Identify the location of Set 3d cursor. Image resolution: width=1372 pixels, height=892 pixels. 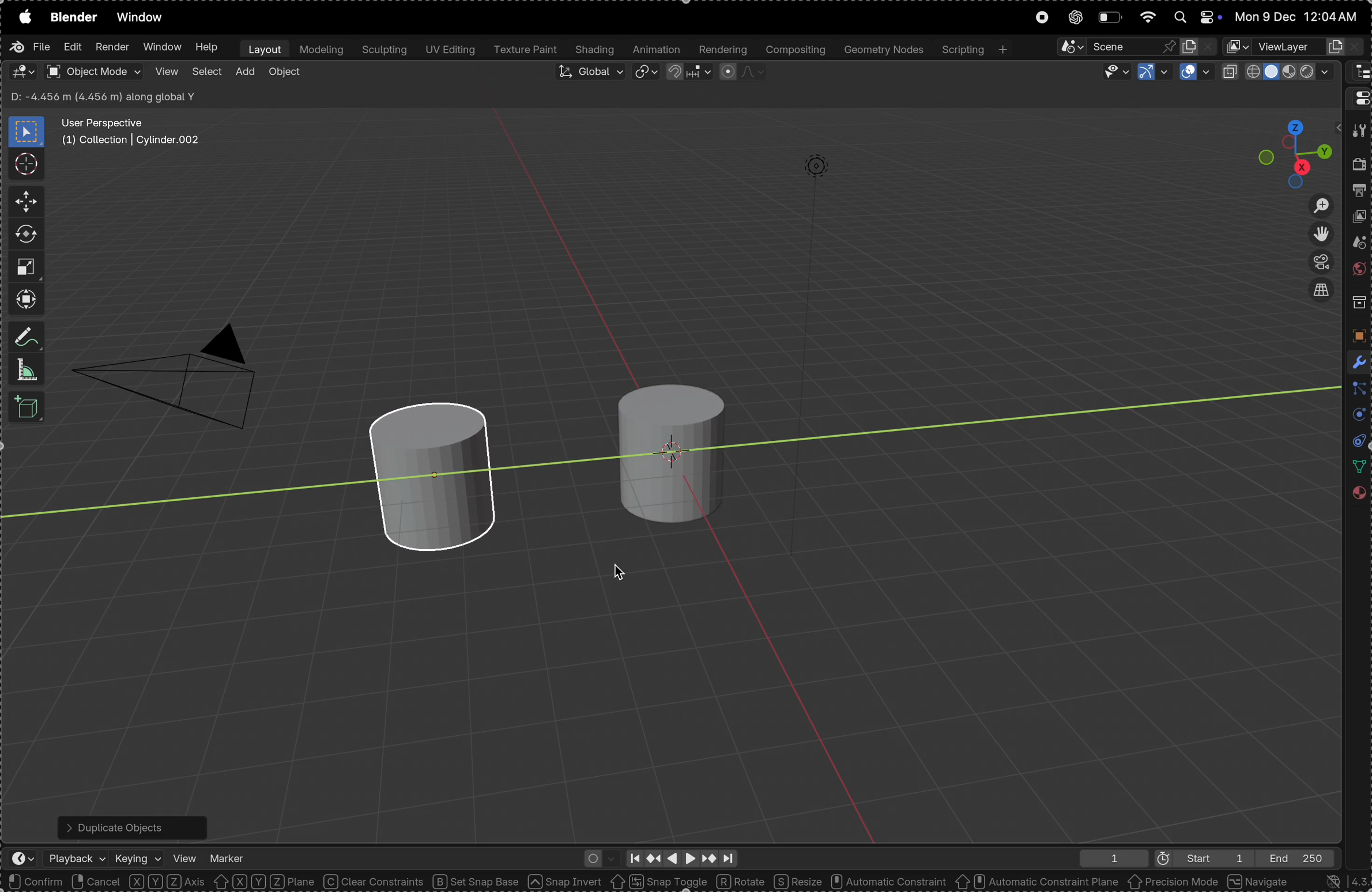
(221, 882).